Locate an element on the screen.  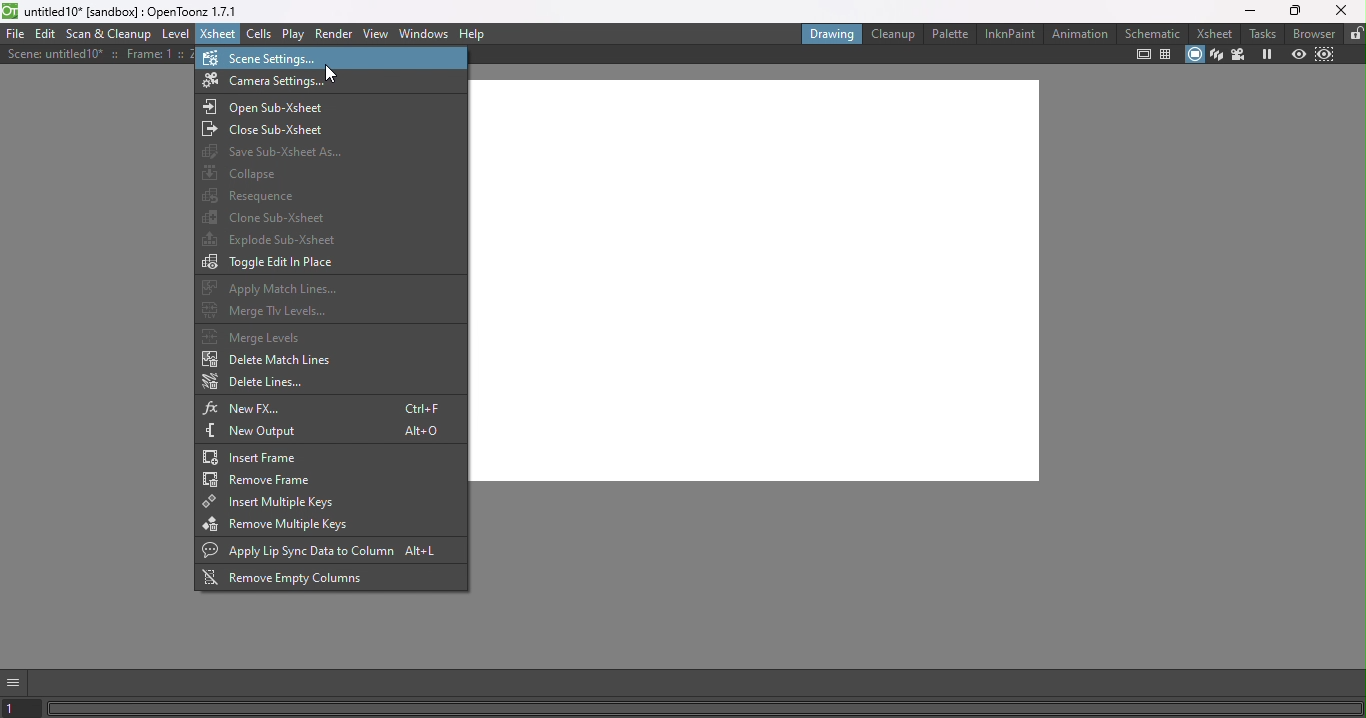
Scene settings is located at coordinates (258, 59).